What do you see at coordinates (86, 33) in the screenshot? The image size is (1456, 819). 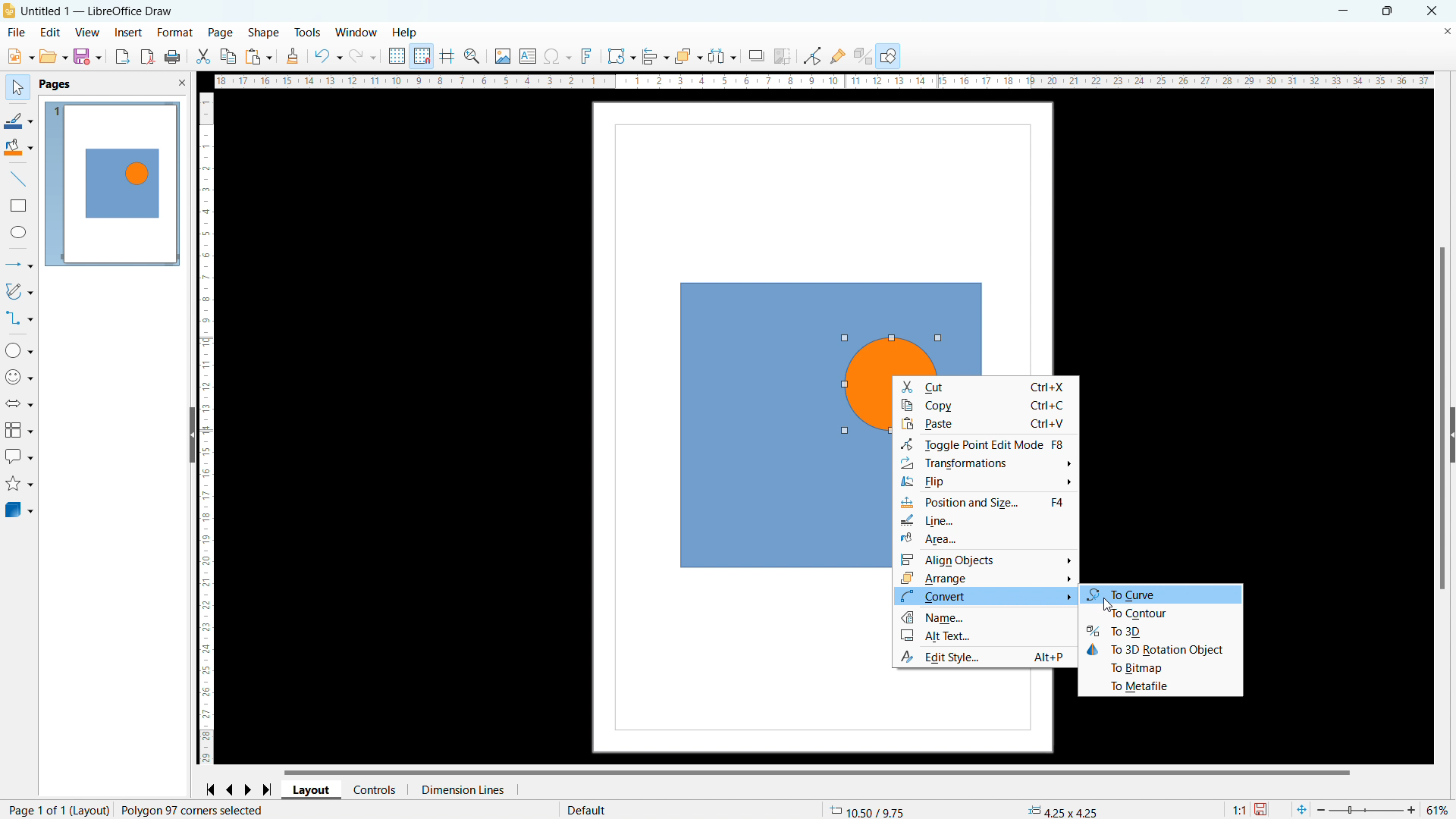 I see `view` at bounding box center [86, 33].